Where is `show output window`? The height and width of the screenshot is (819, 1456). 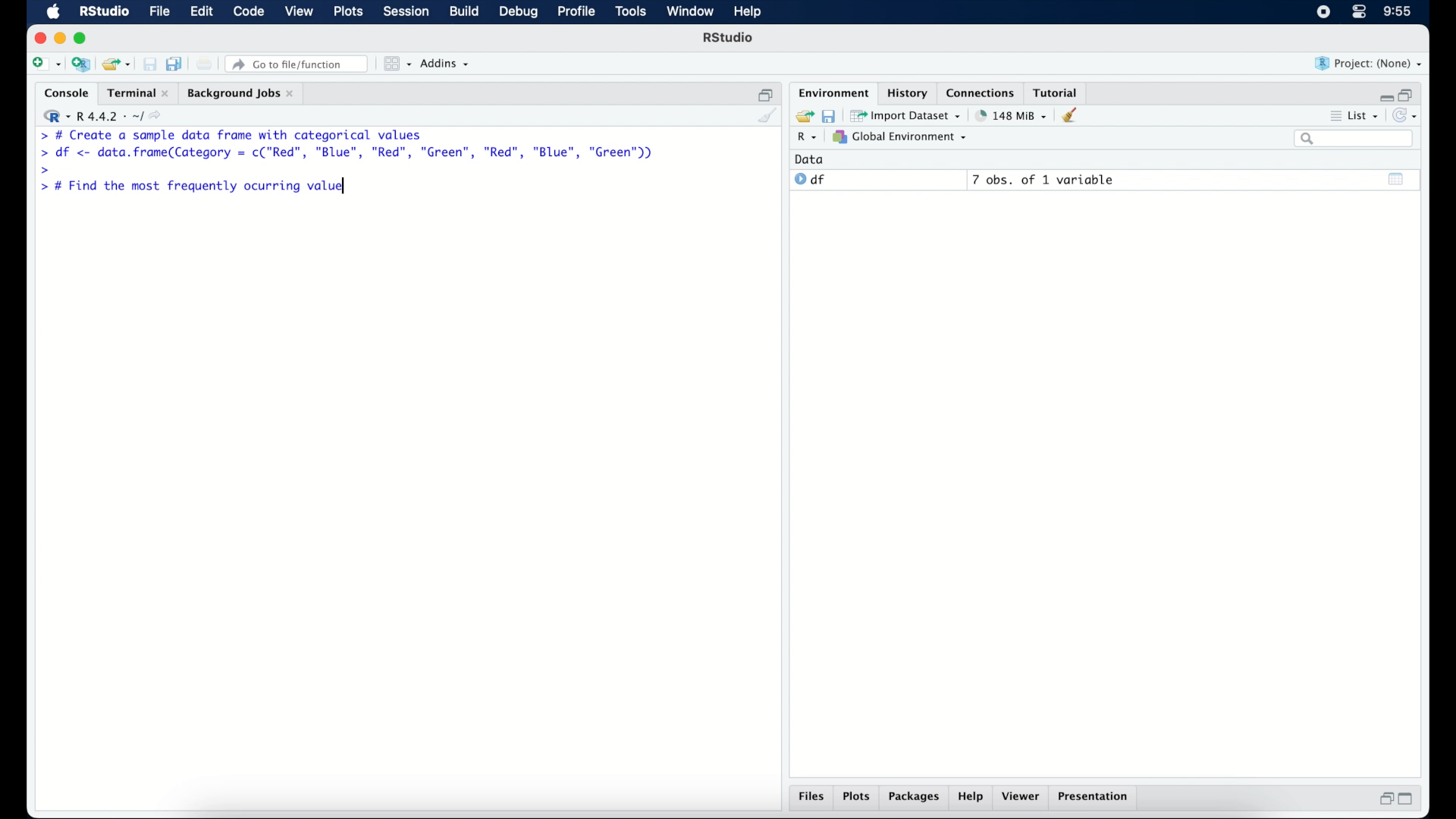 show output window is located at coordinates (1398, 181).